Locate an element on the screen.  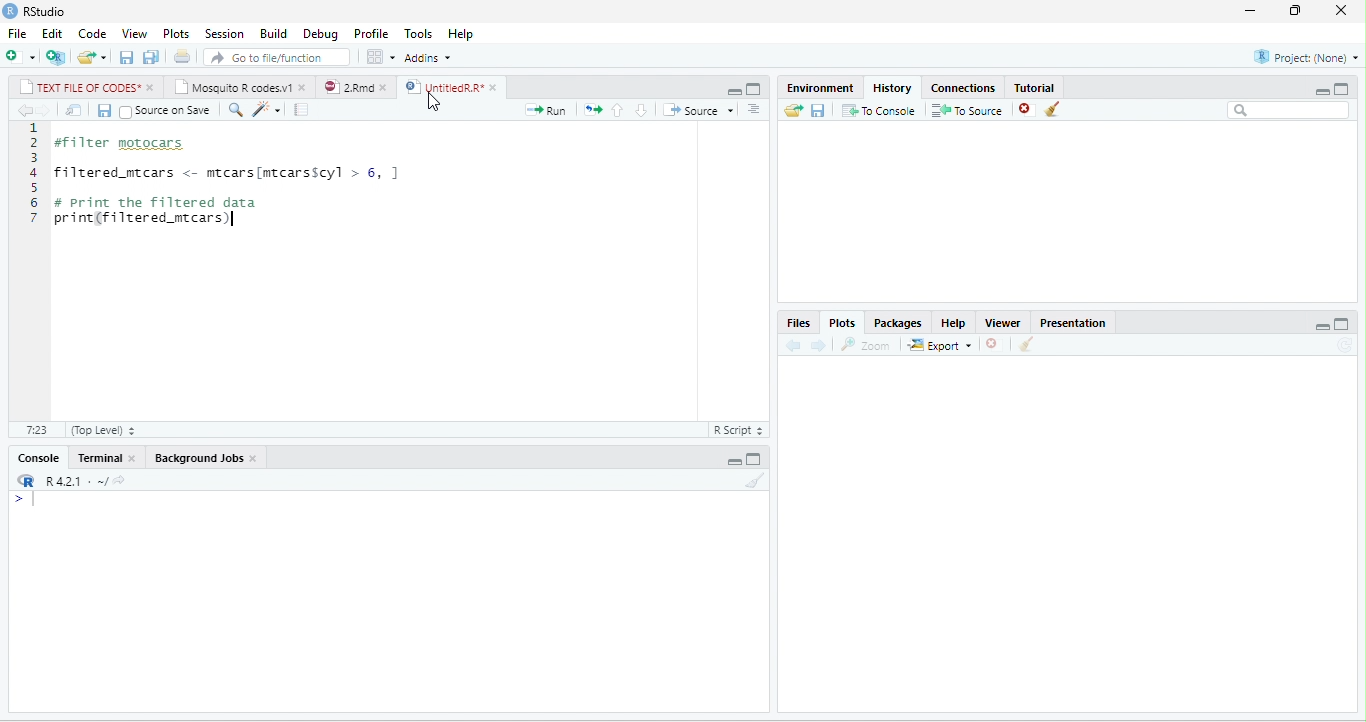
Source on Save is located at coordinates (166, 112).